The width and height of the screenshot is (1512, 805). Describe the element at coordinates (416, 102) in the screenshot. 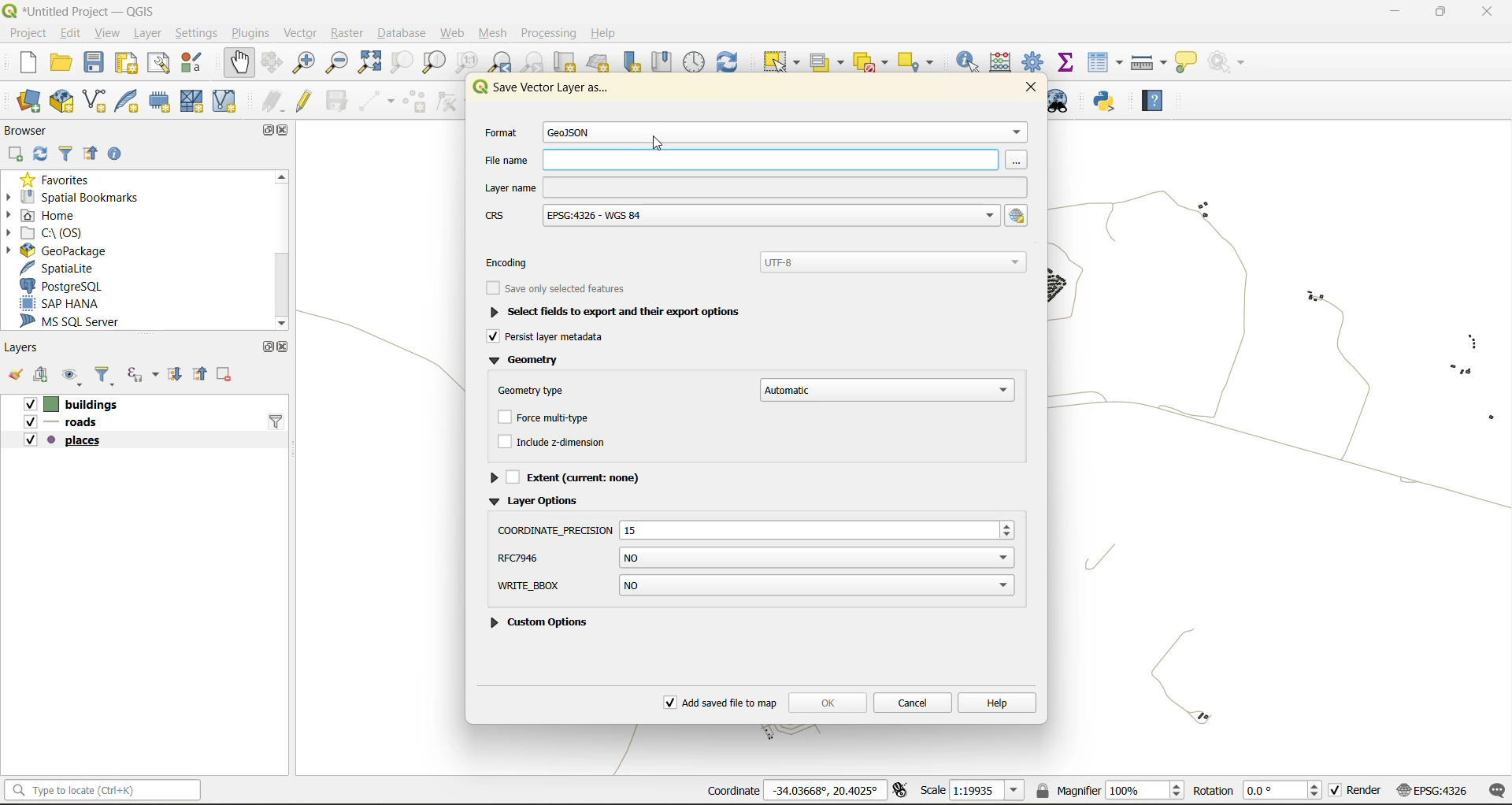

I see `add polygon` at that location.